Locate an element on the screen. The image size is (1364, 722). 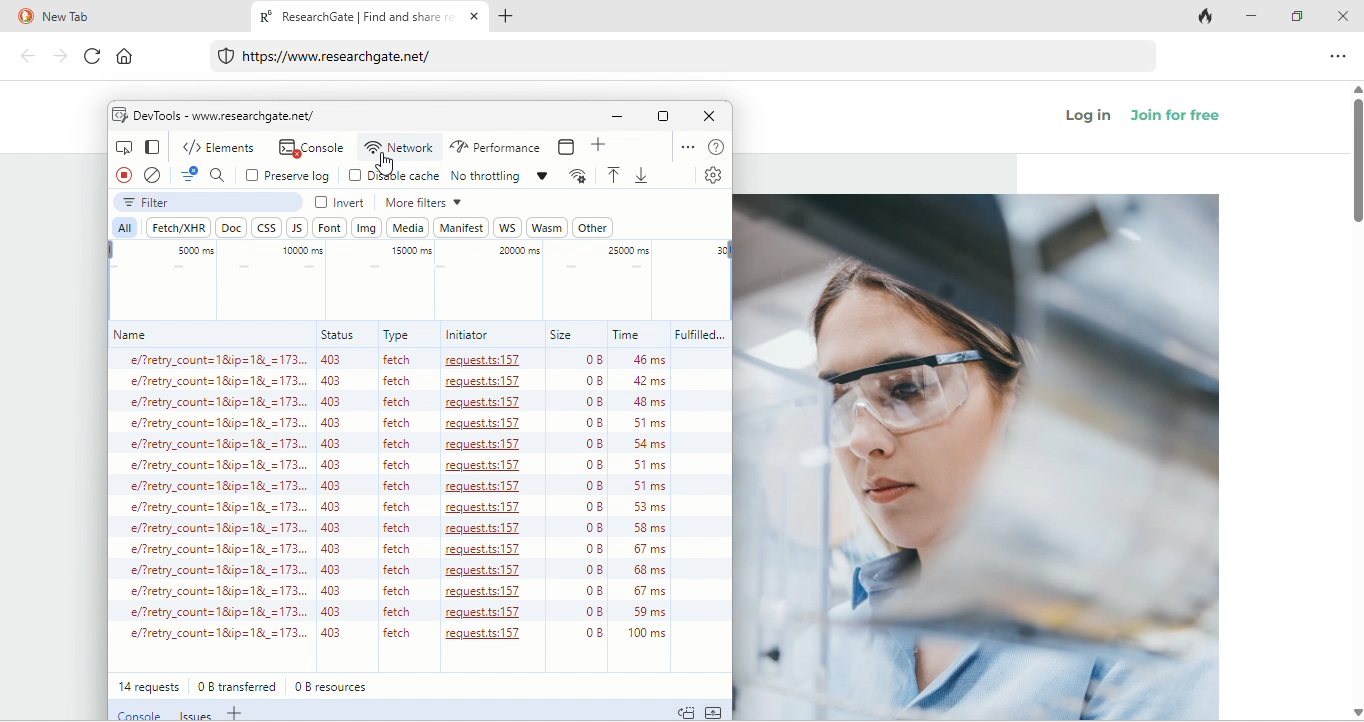
all times is located at coordinates (636, 511).